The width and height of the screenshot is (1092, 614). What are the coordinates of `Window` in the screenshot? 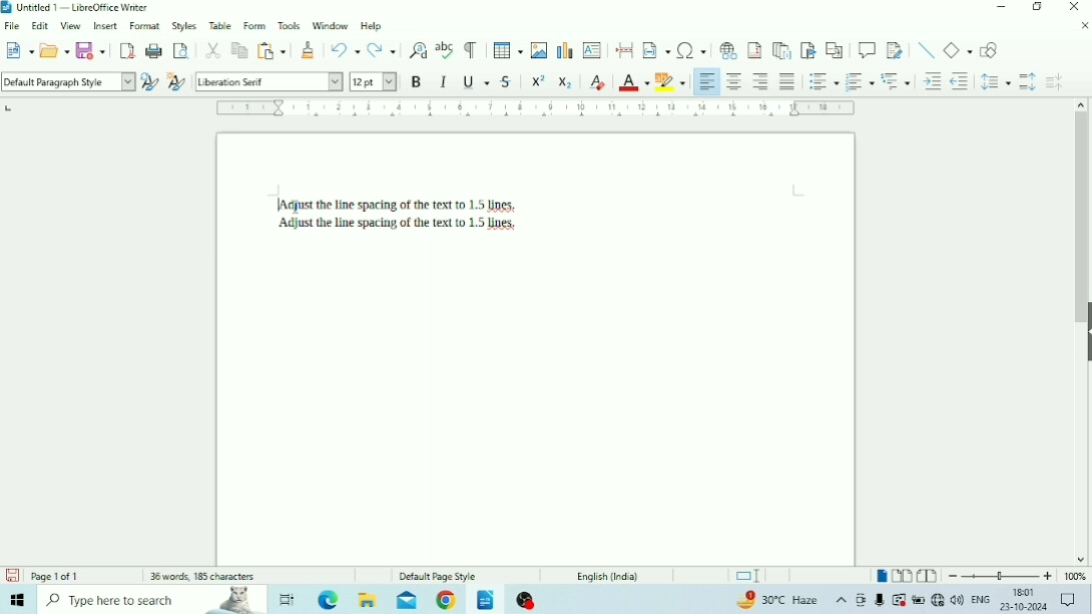 It's located at (331, 24).